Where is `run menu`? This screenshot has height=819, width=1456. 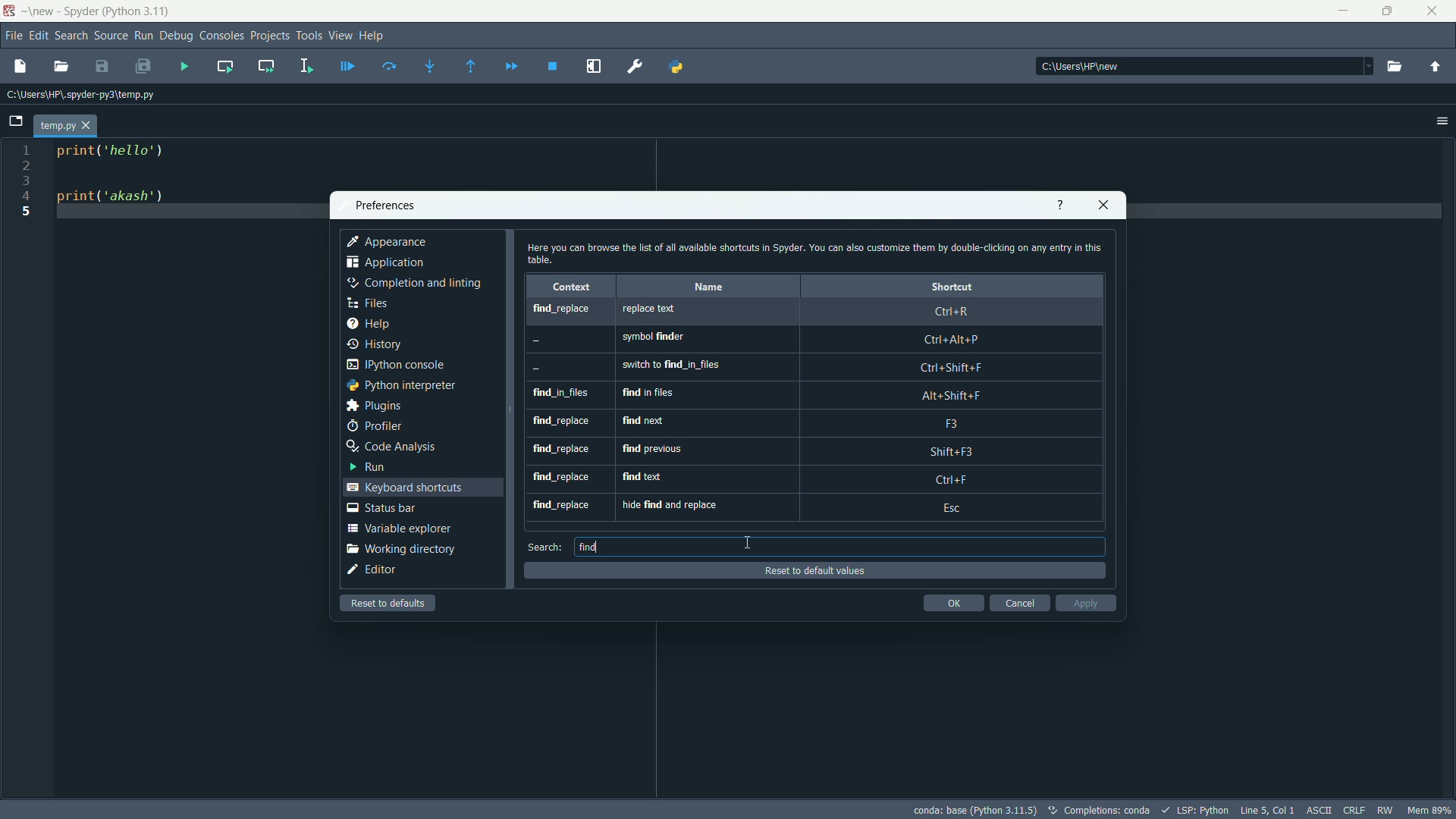
run menu is located at coordinates (143, 36).